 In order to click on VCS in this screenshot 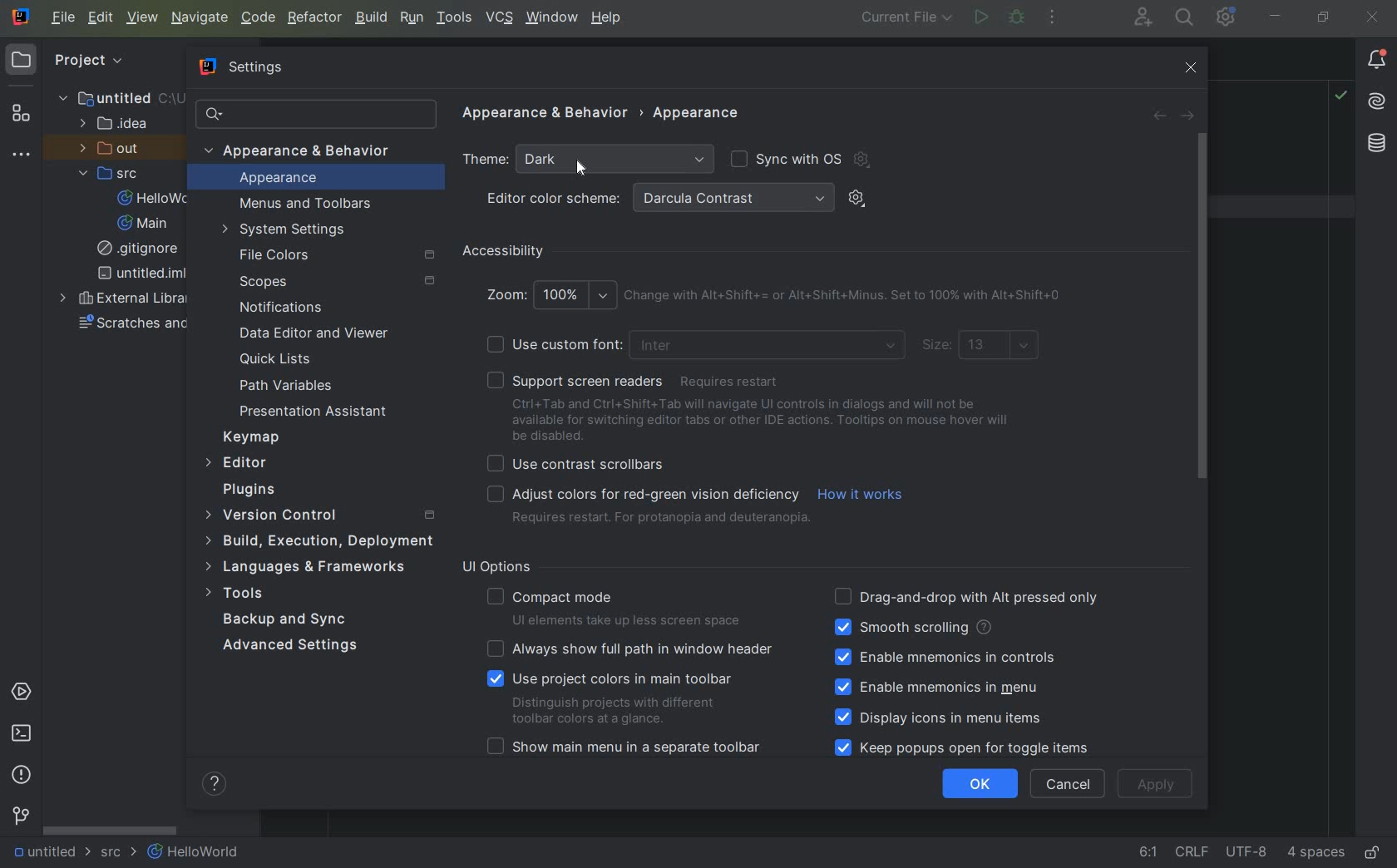, I will do `click(499, 18)`.